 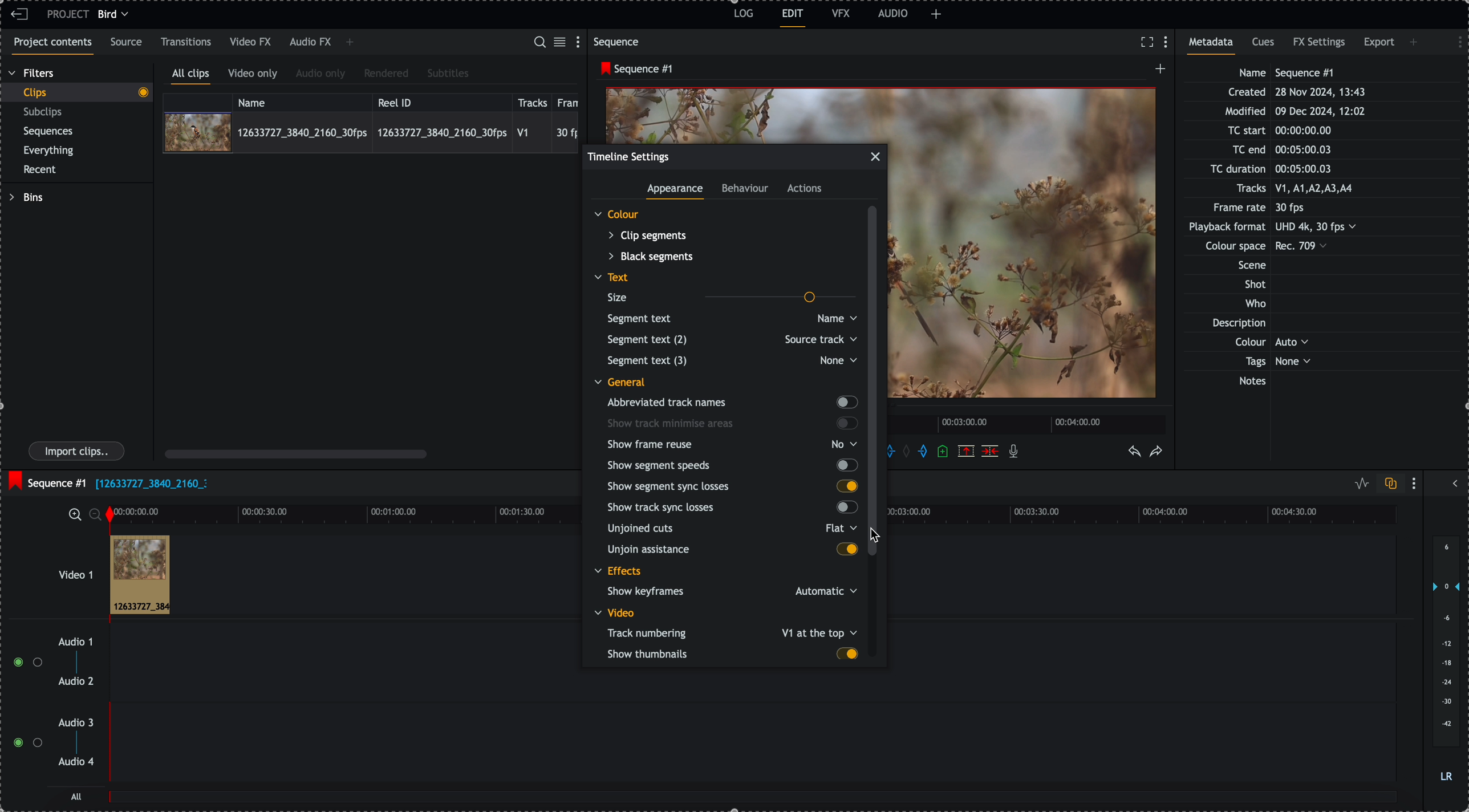 I want to click on general, so click(x=618, y=382).